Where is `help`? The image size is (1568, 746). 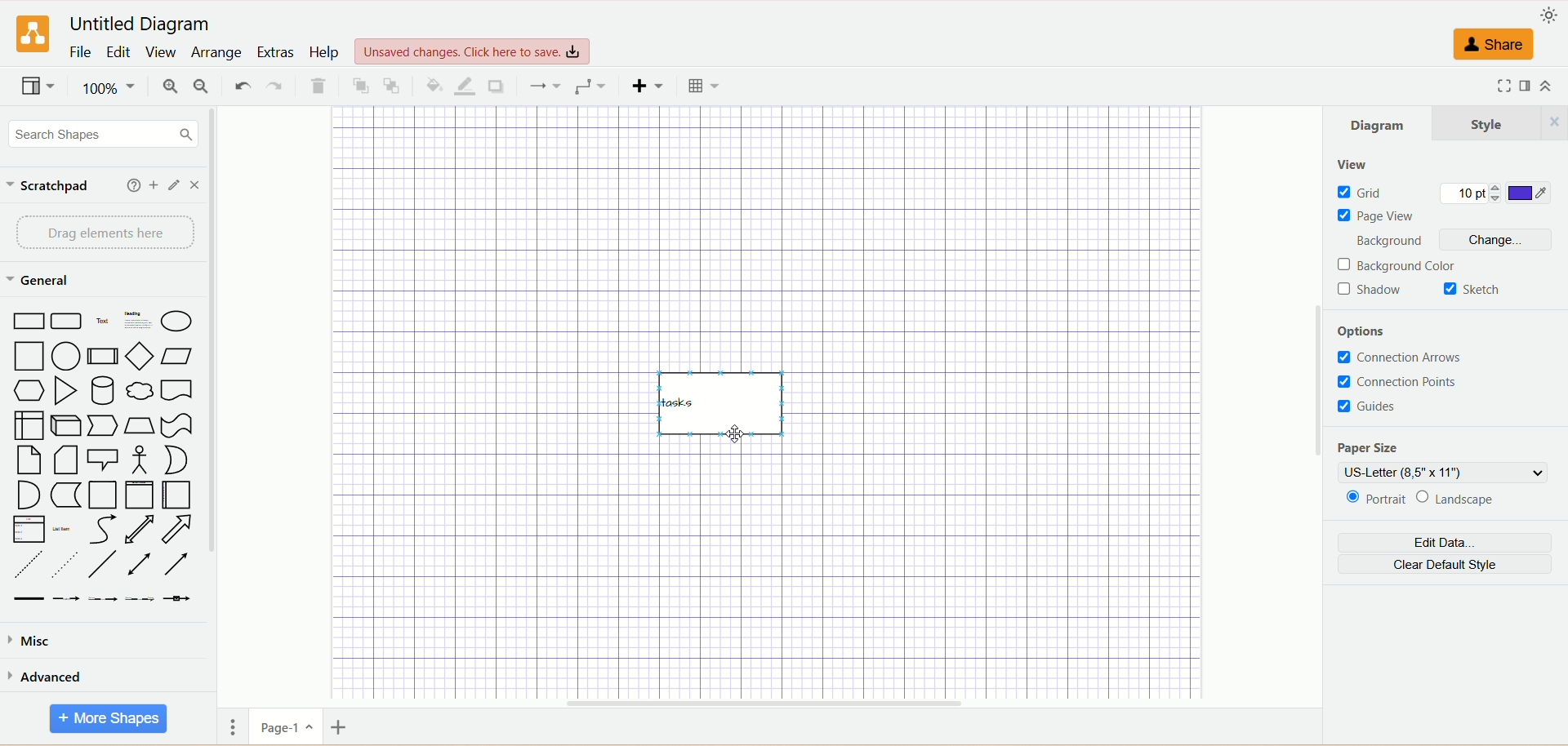
help is located at coordinates (325, 53).